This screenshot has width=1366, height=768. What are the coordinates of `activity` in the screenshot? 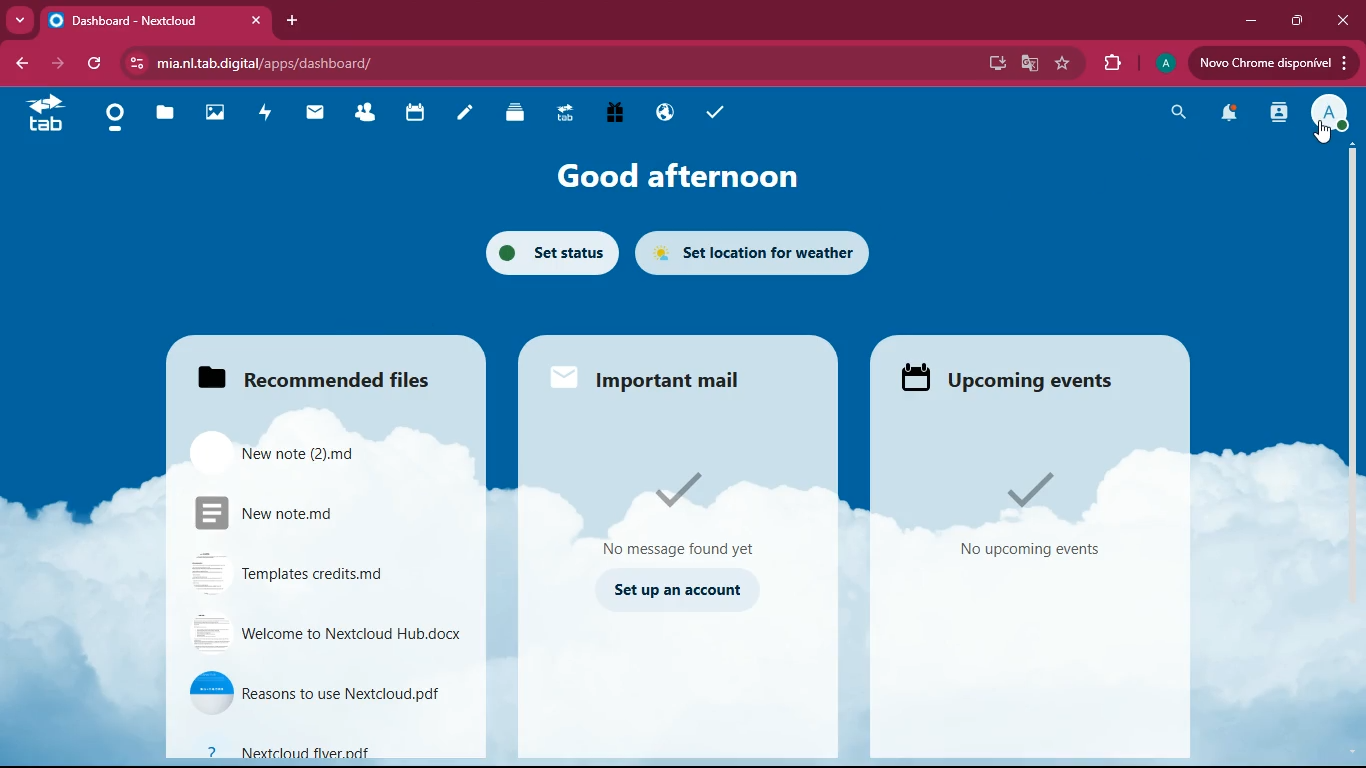 It's located at (1276, 114).